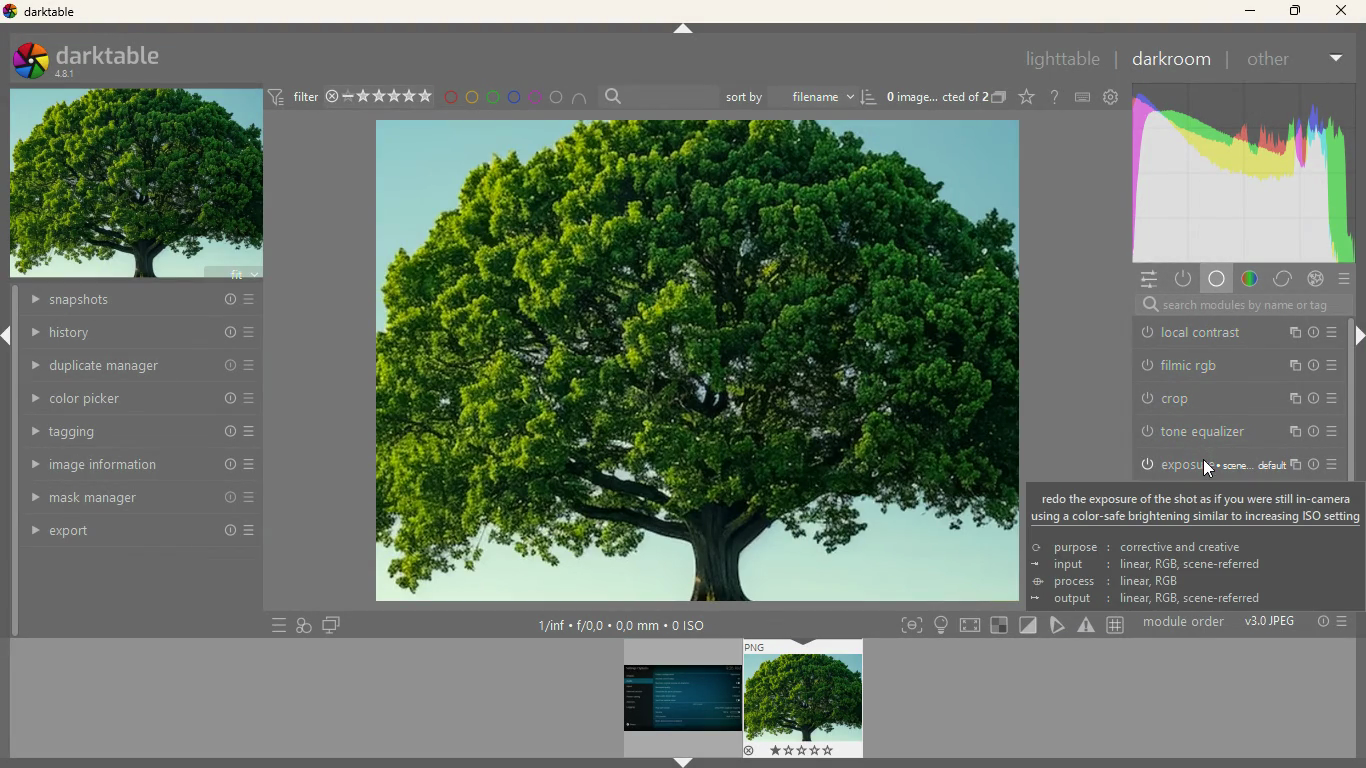 The width and height of the screenshot is (1366, 768). Describe the element at coordinates (43, 12) in the screenshot. I see `darktable` at that location.